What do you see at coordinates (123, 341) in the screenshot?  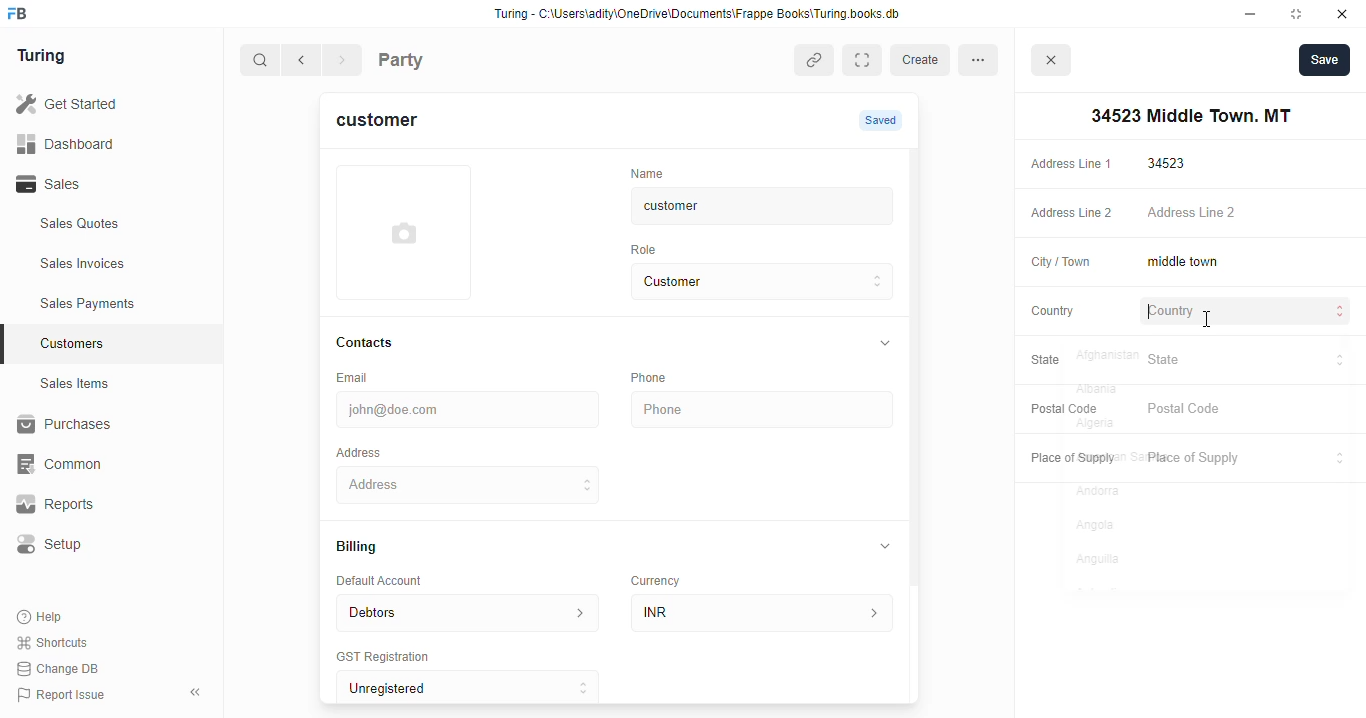 I see `Customers` at bounding box center [123, 341].